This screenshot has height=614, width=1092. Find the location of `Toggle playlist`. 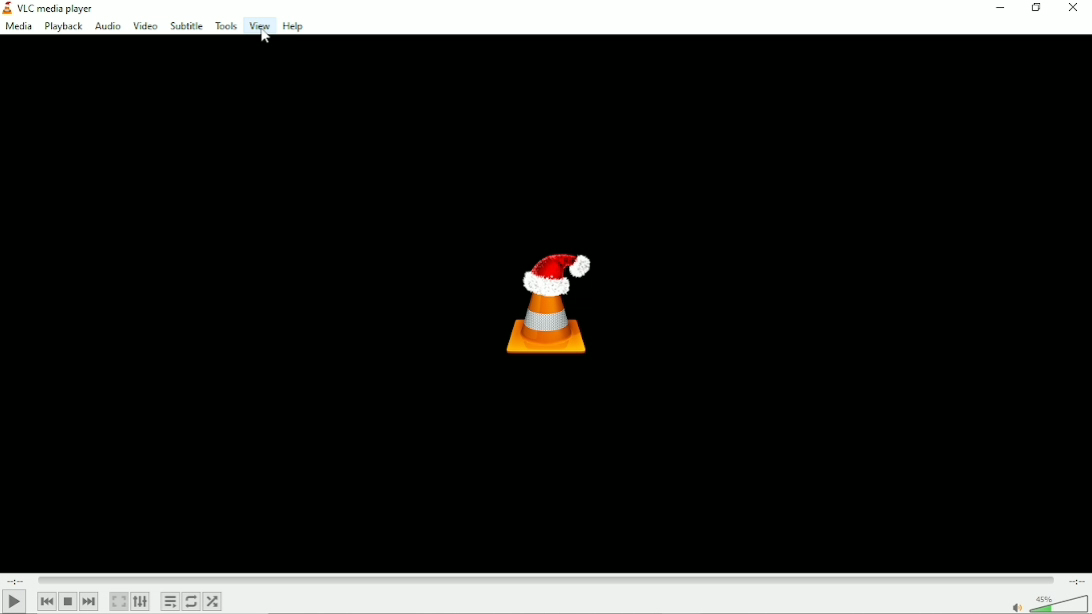

Toggle playlist is located at coordinates (169, 602).